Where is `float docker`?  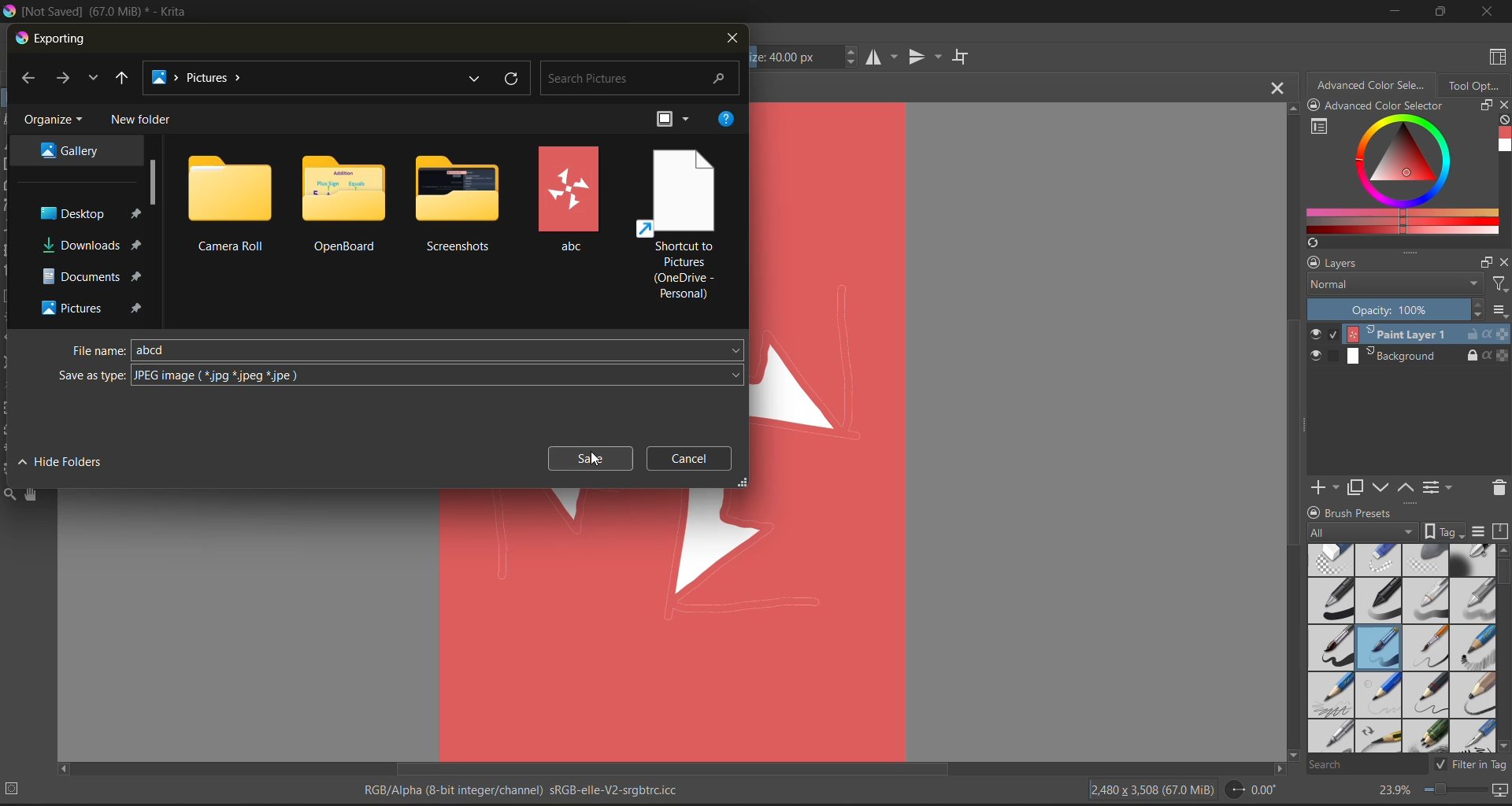 float docker is located at coordinates (1486, 106).